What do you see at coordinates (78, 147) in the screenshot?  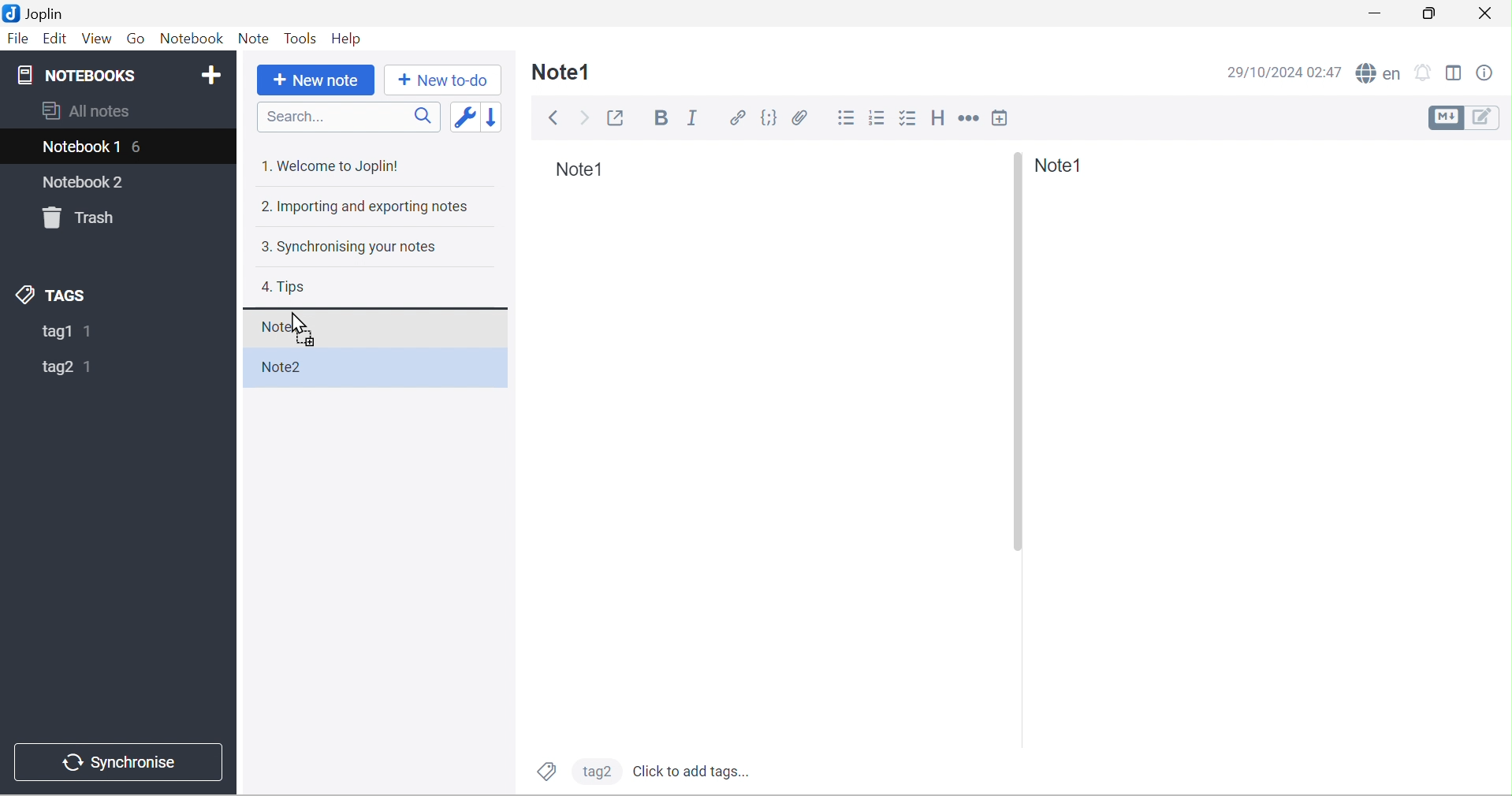 I see `Notebook1` at bounding box center [78, 147].